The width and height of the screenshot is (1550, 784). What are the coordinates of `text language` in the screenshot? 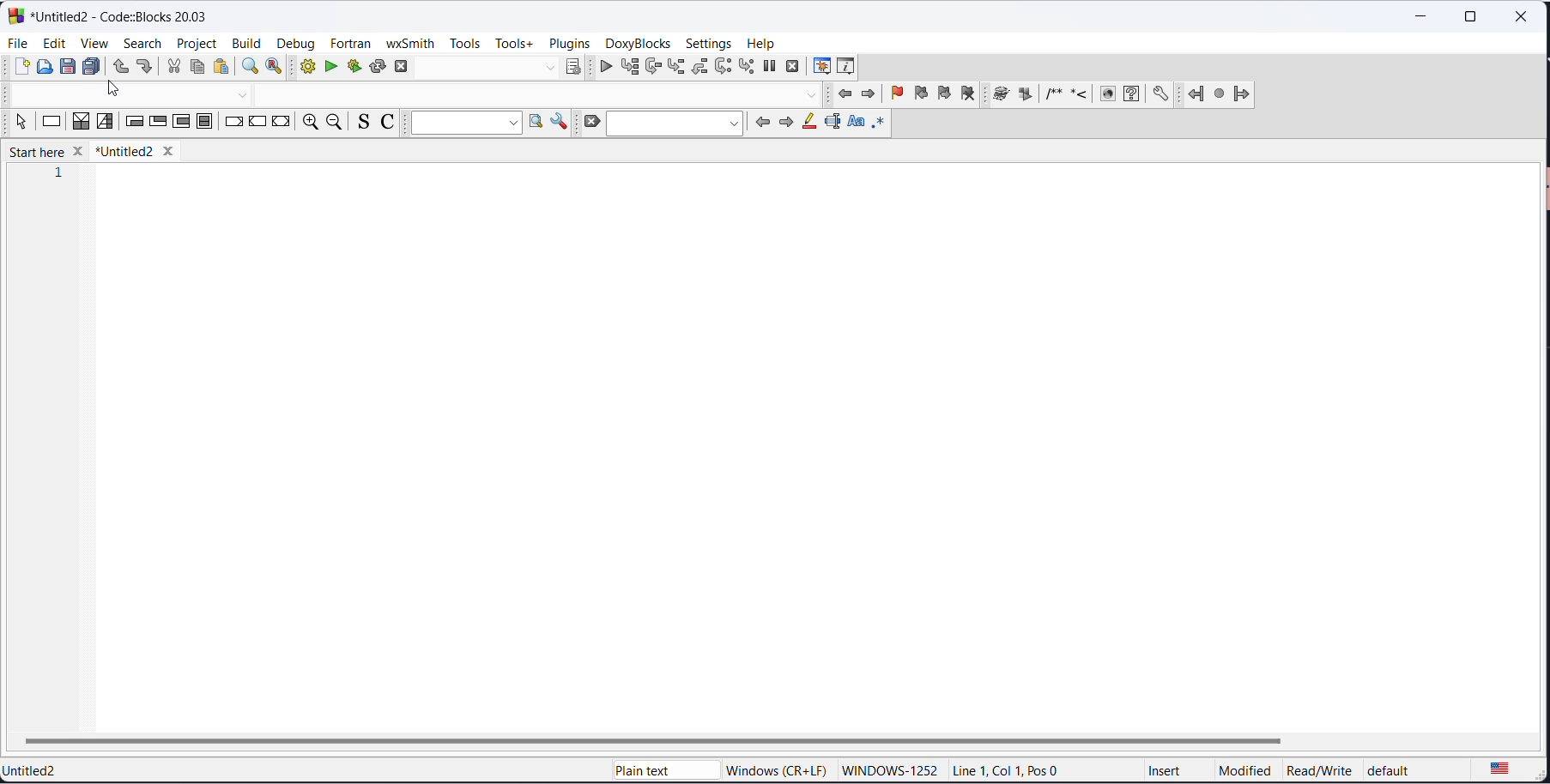 It's located at (1506, 769).